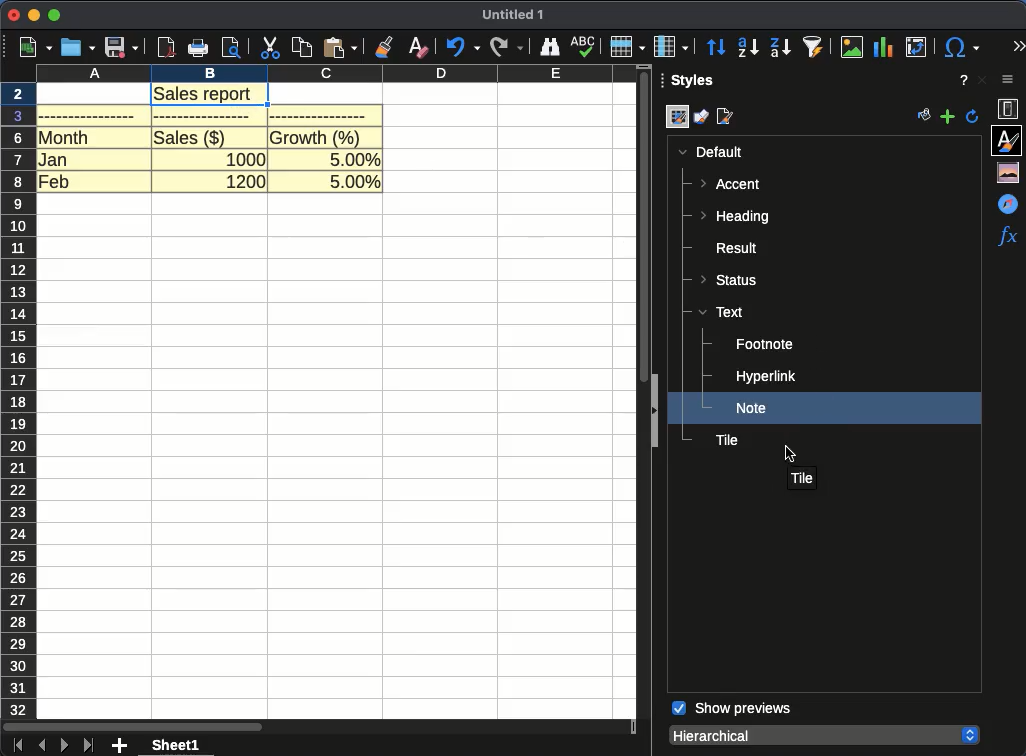 The height and width of the screenshot is (756, 1026). I want to click on text, so click(721, 311).